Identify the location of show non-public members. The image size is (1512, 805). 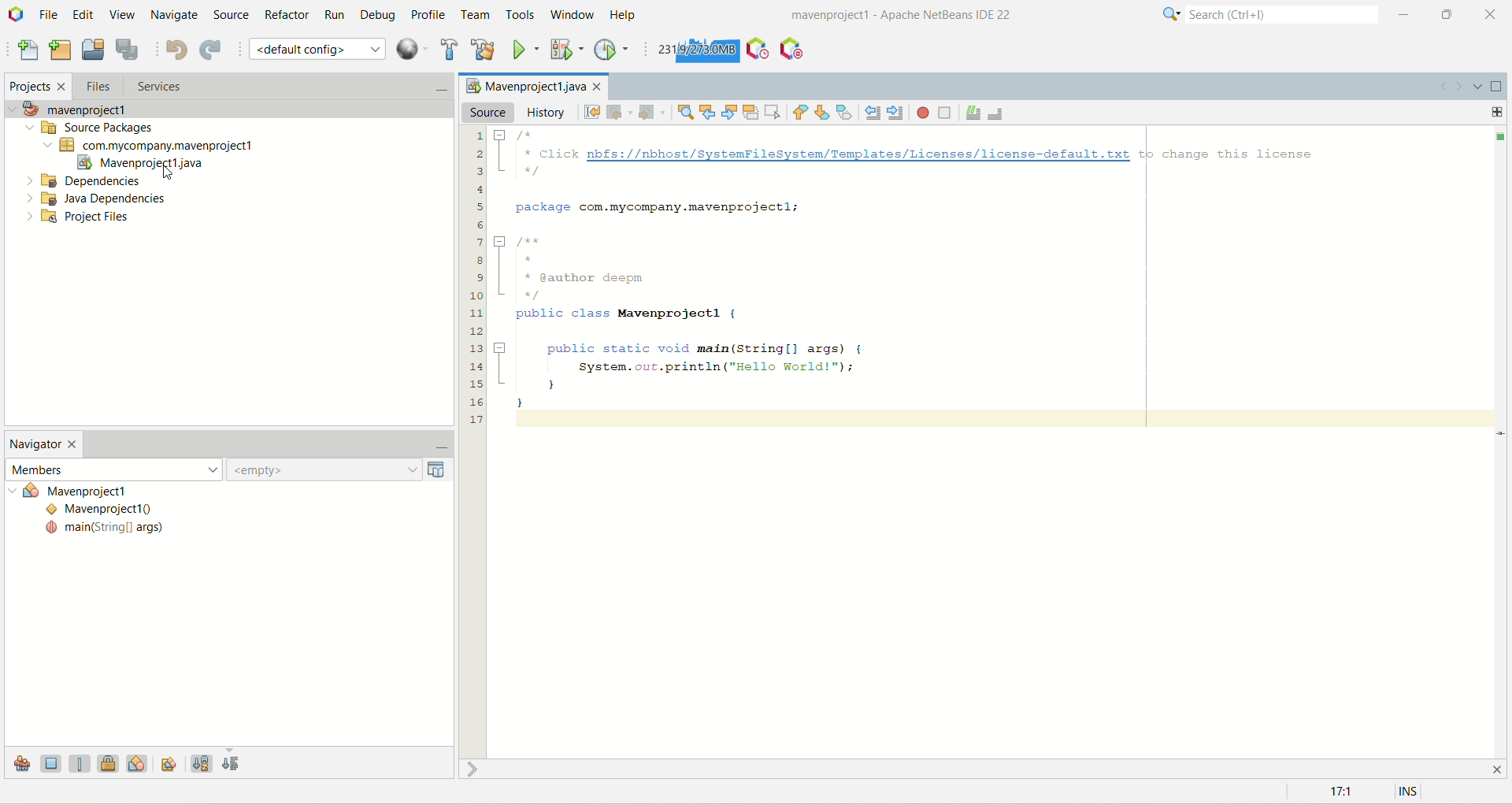
(111, 762).